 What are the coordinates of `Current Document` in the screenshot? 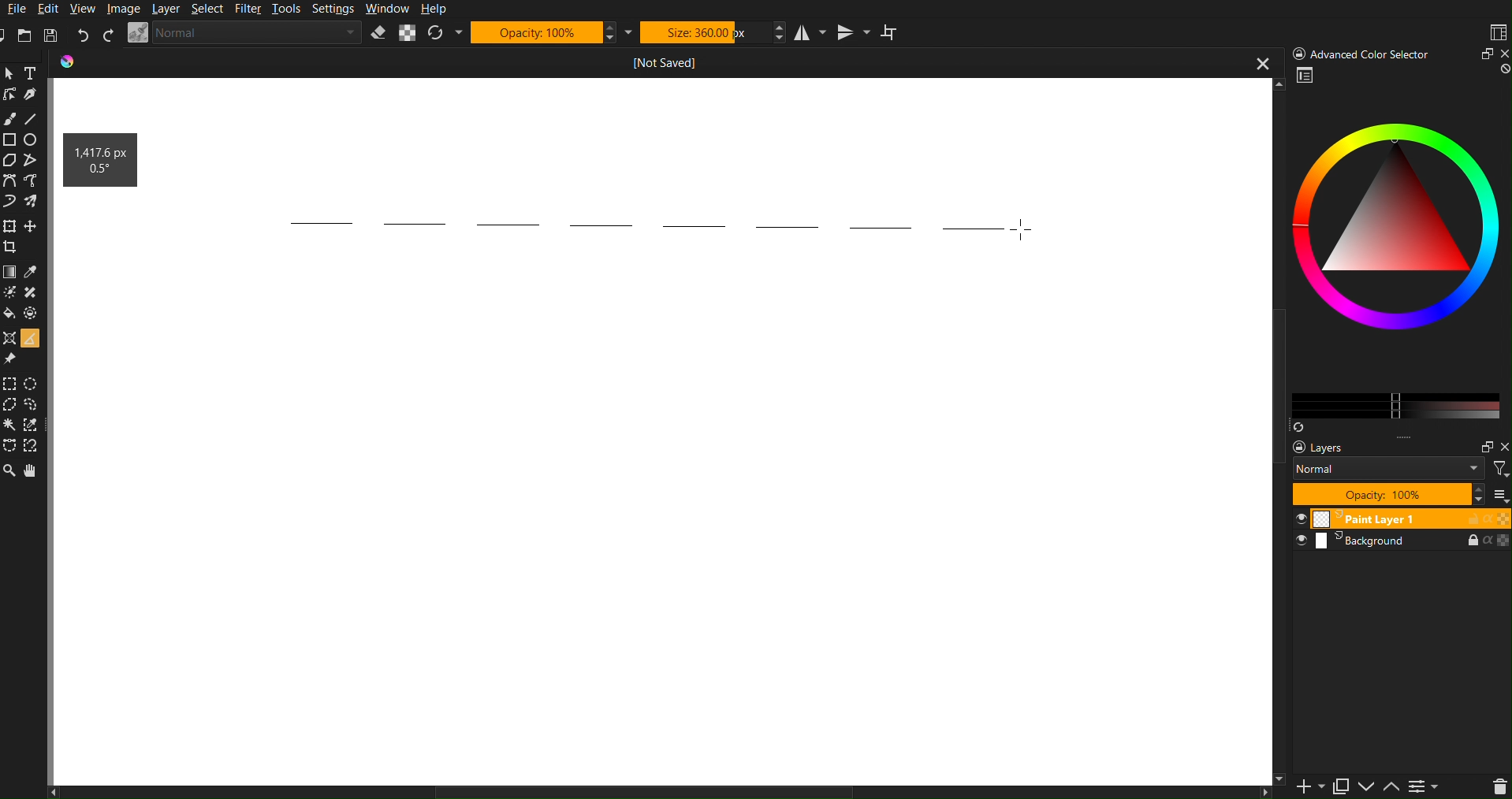 It's located at (667, 61).